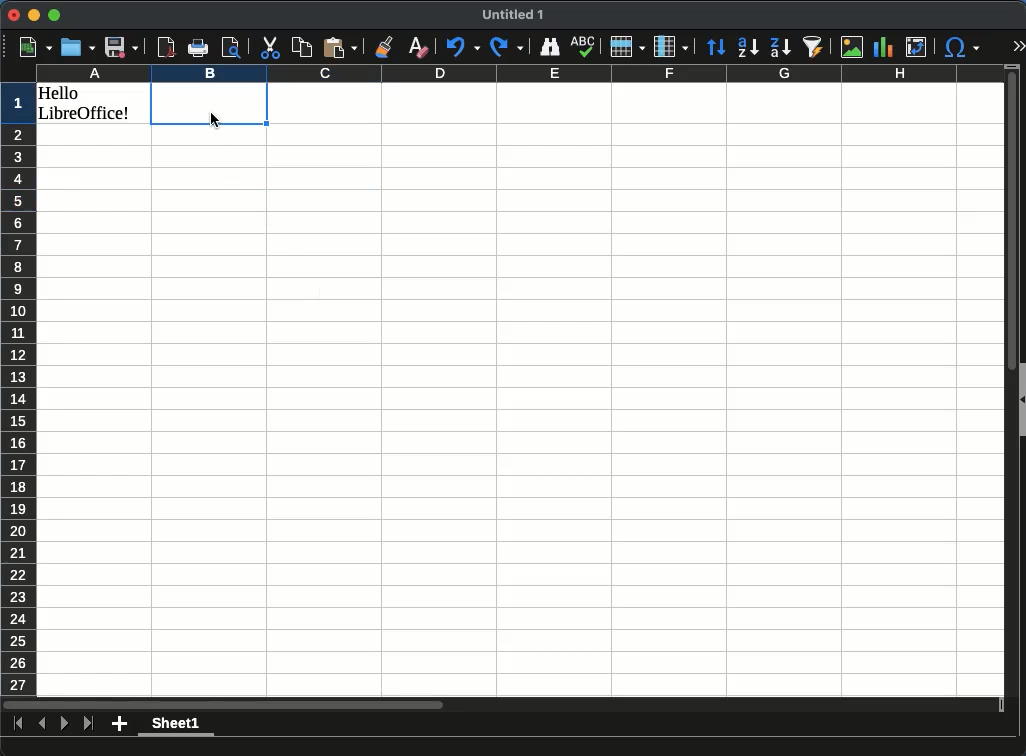 This screenshot has width=1026, height=756. What do you see at coordinates (31, 45) in the screenshot?
I see `new` at bounding box center [31, 45].